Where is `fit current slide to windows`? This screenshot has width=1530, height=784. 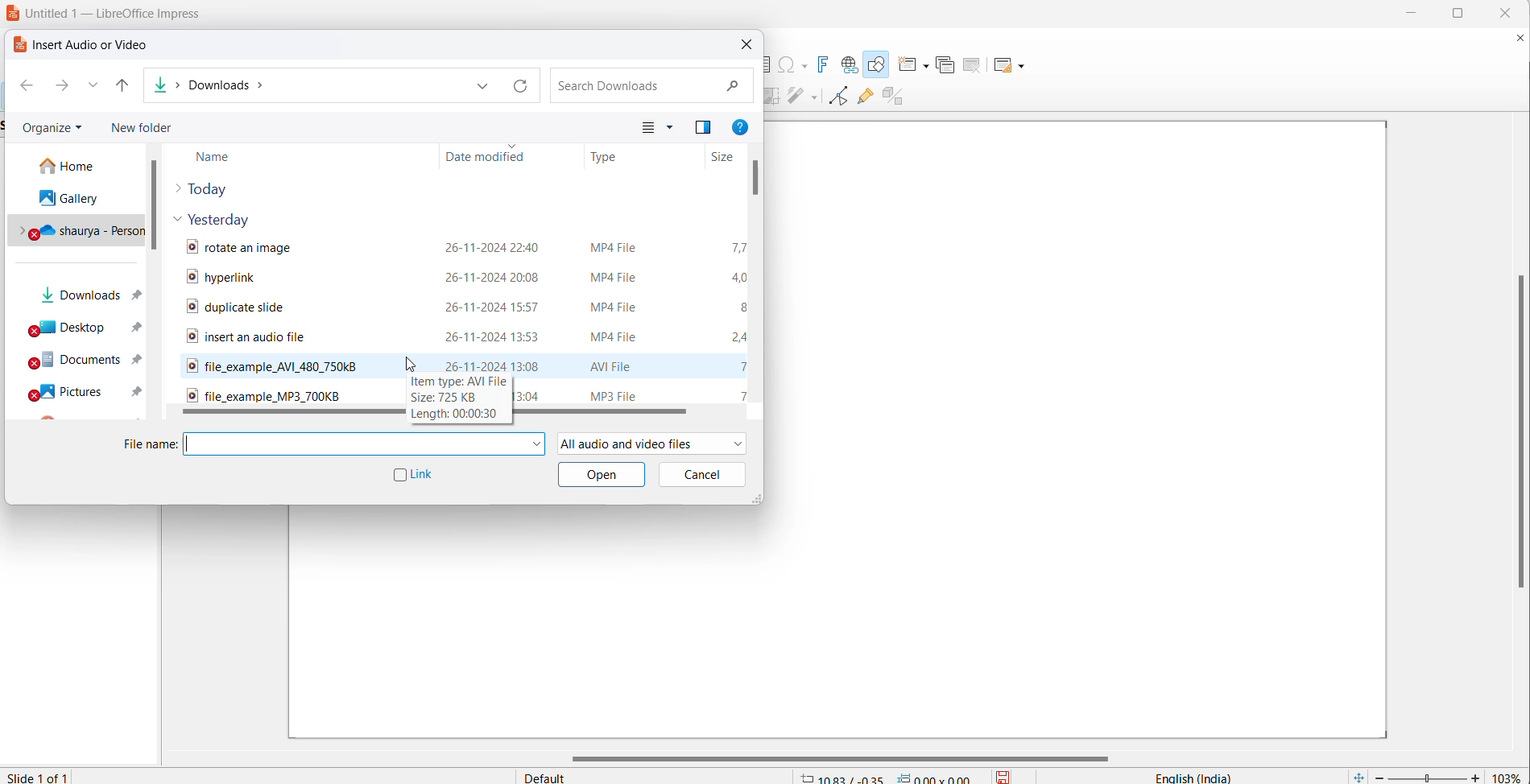 fit current slide to windows is located at coordinates (1357, 776).